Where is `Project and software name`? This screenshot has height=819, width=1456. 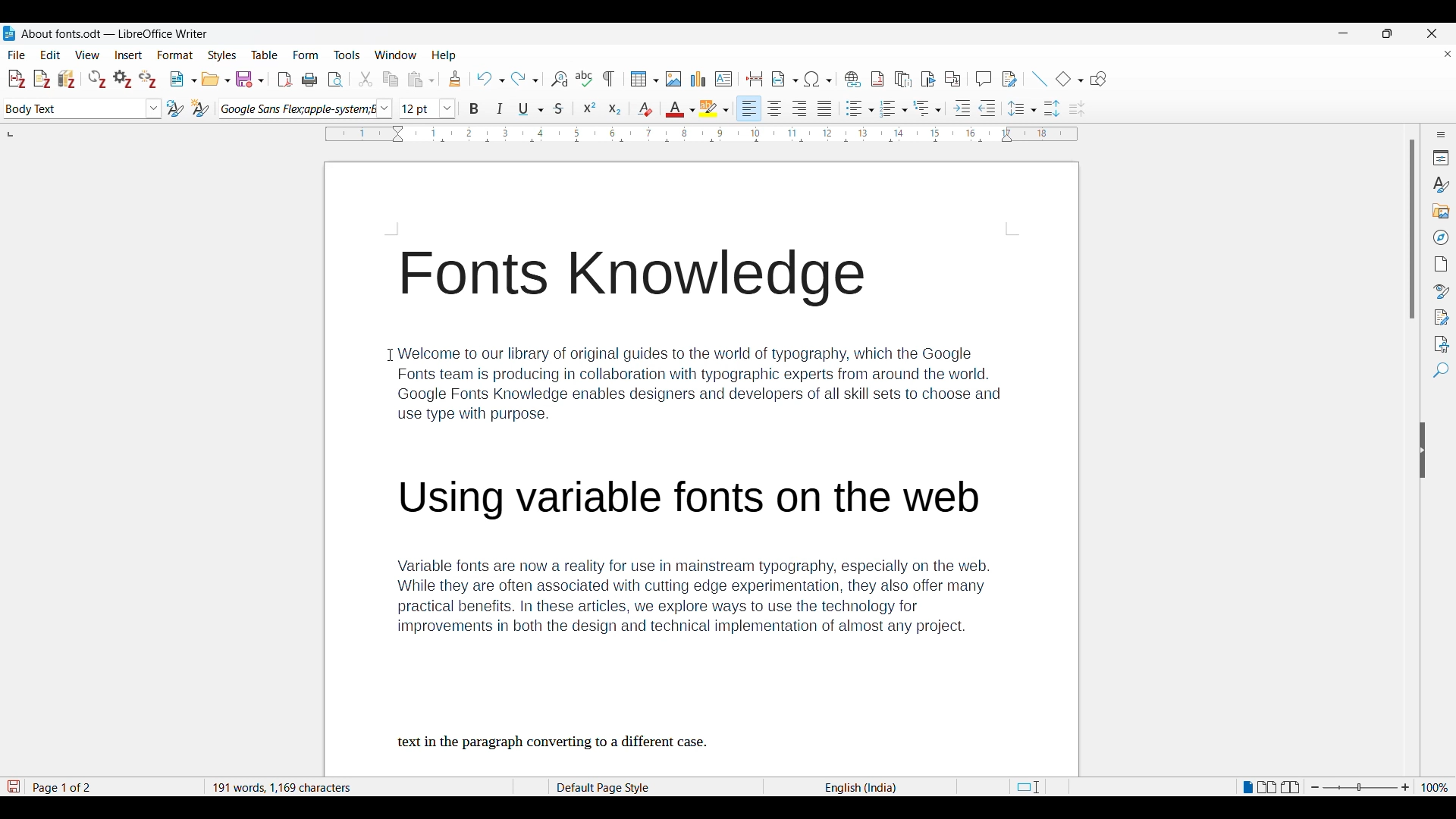
Project and software name is located at coordinates (115, 34).